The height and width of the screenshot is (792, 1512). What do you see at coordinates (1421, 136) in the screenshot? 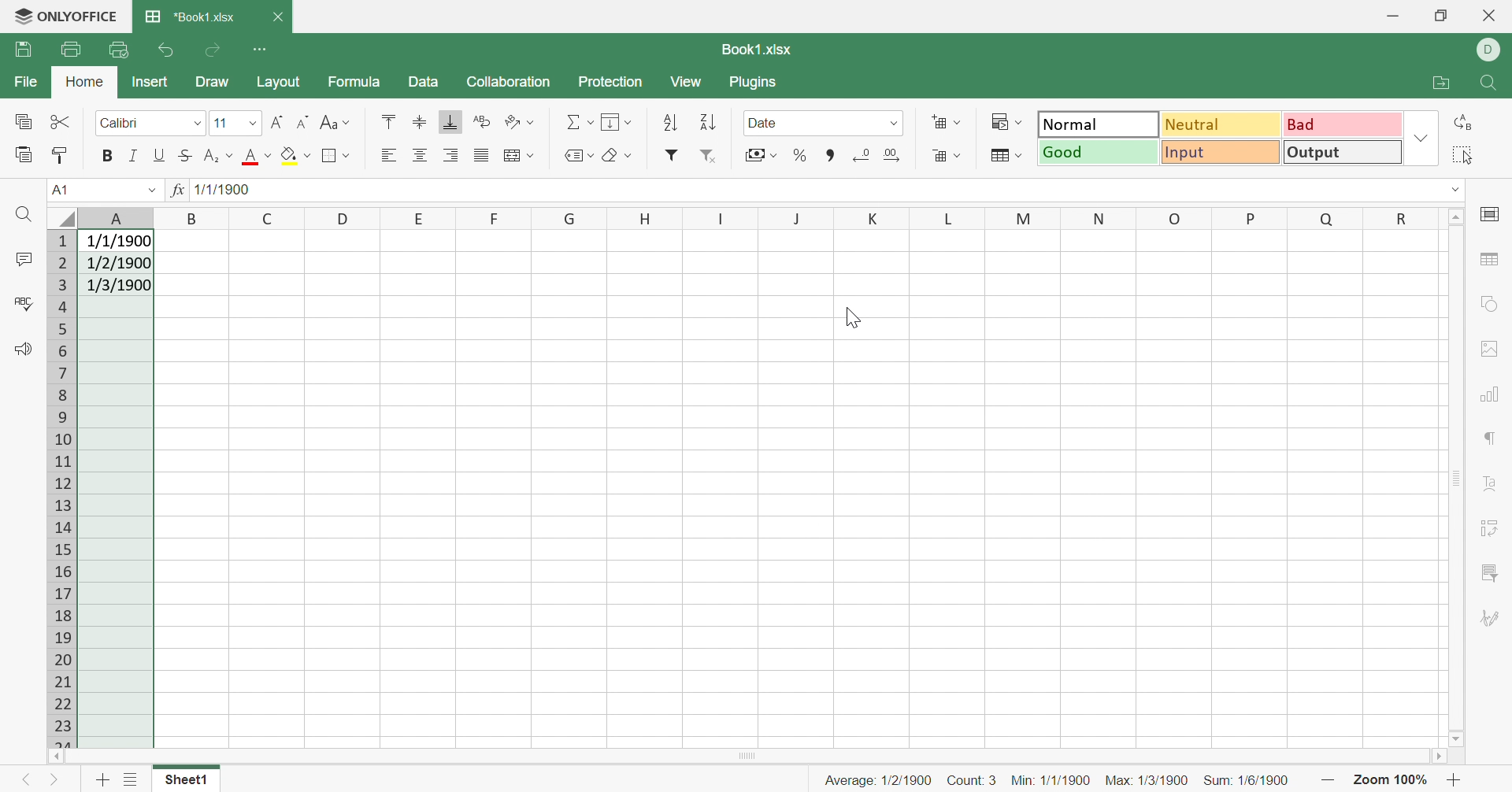
I see `Drop down` at bounding box center [1421, 136].